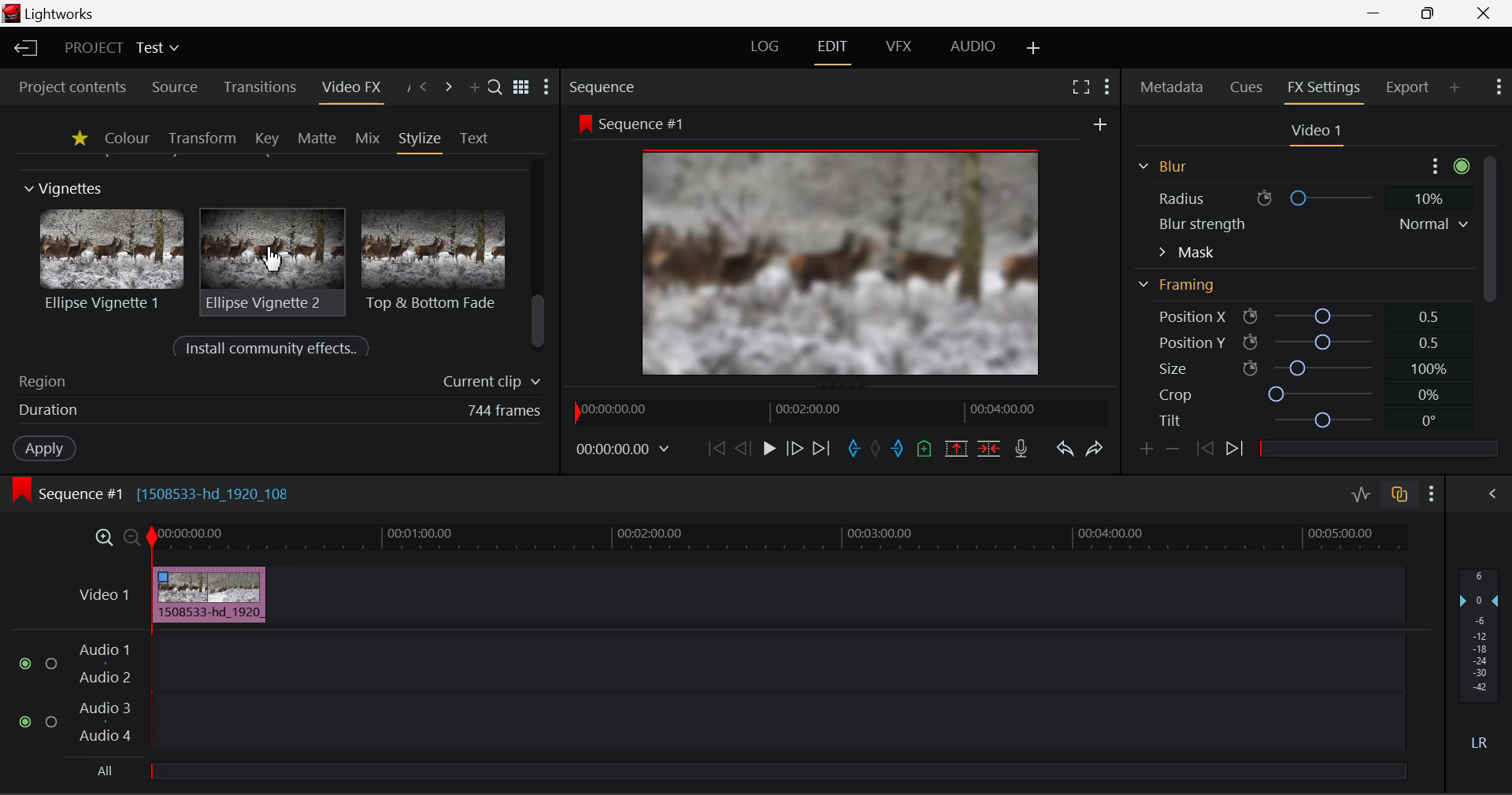 The image size is (1512, 795). Describe the element at coordinates (1170, 88) in the screenshot. I see `Metadata Panel` at that location.